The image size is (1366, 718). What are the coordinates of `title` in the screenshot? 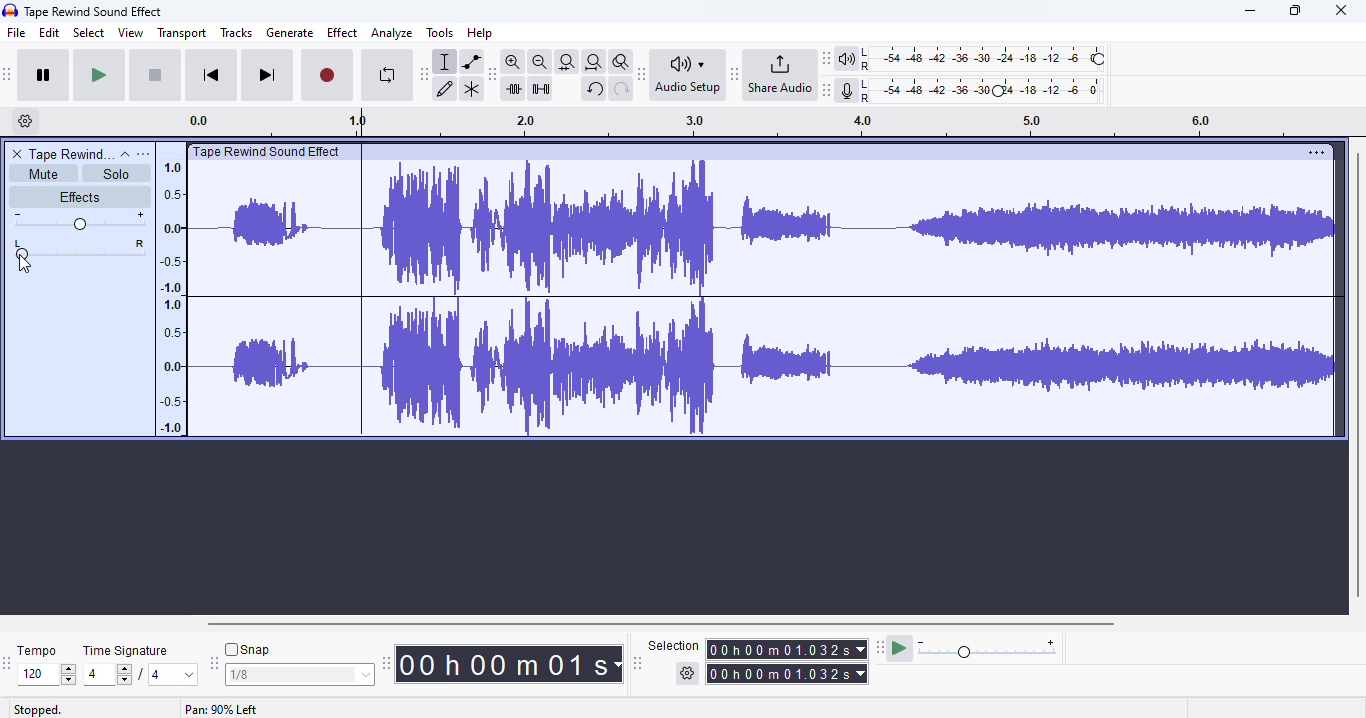 It's located at (94, 12).